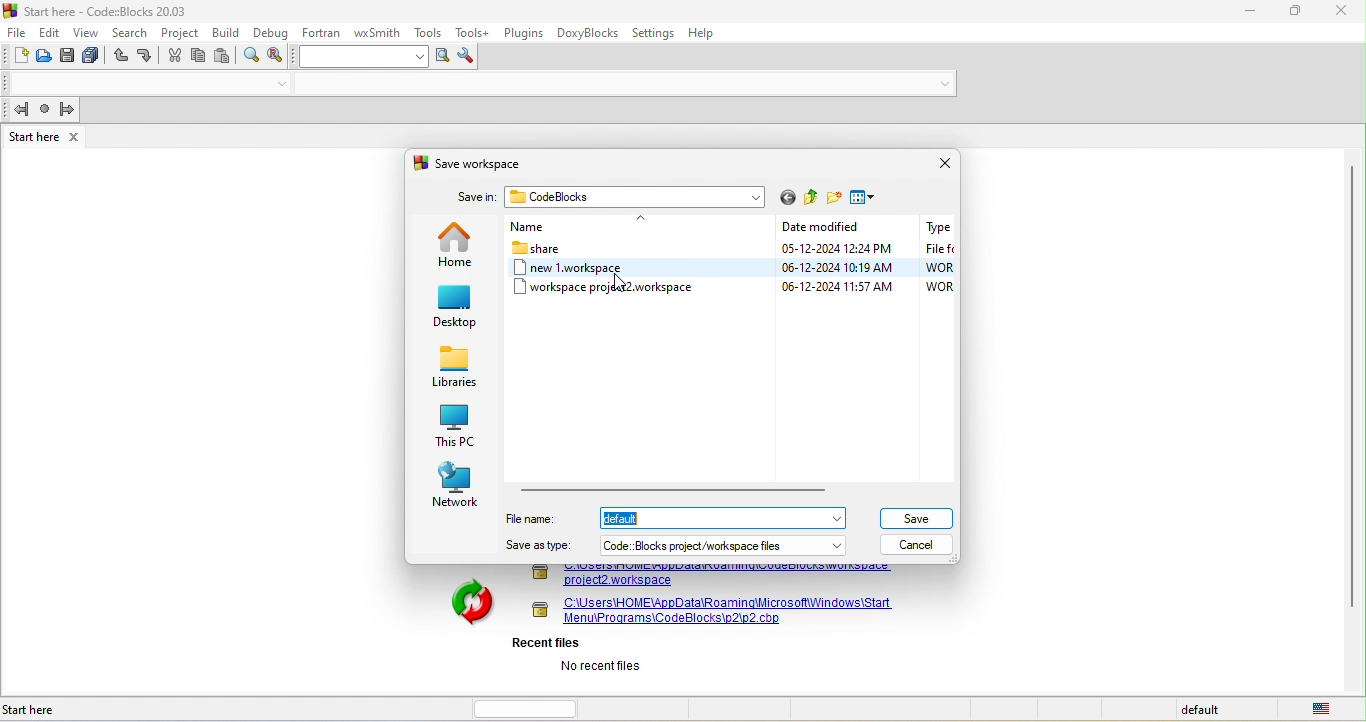 The height and width of the screenshot is (722, 1366). What do you see at coordinates (181, 31) in the screenshot?
I see `project` at bounding box center [181, 31].